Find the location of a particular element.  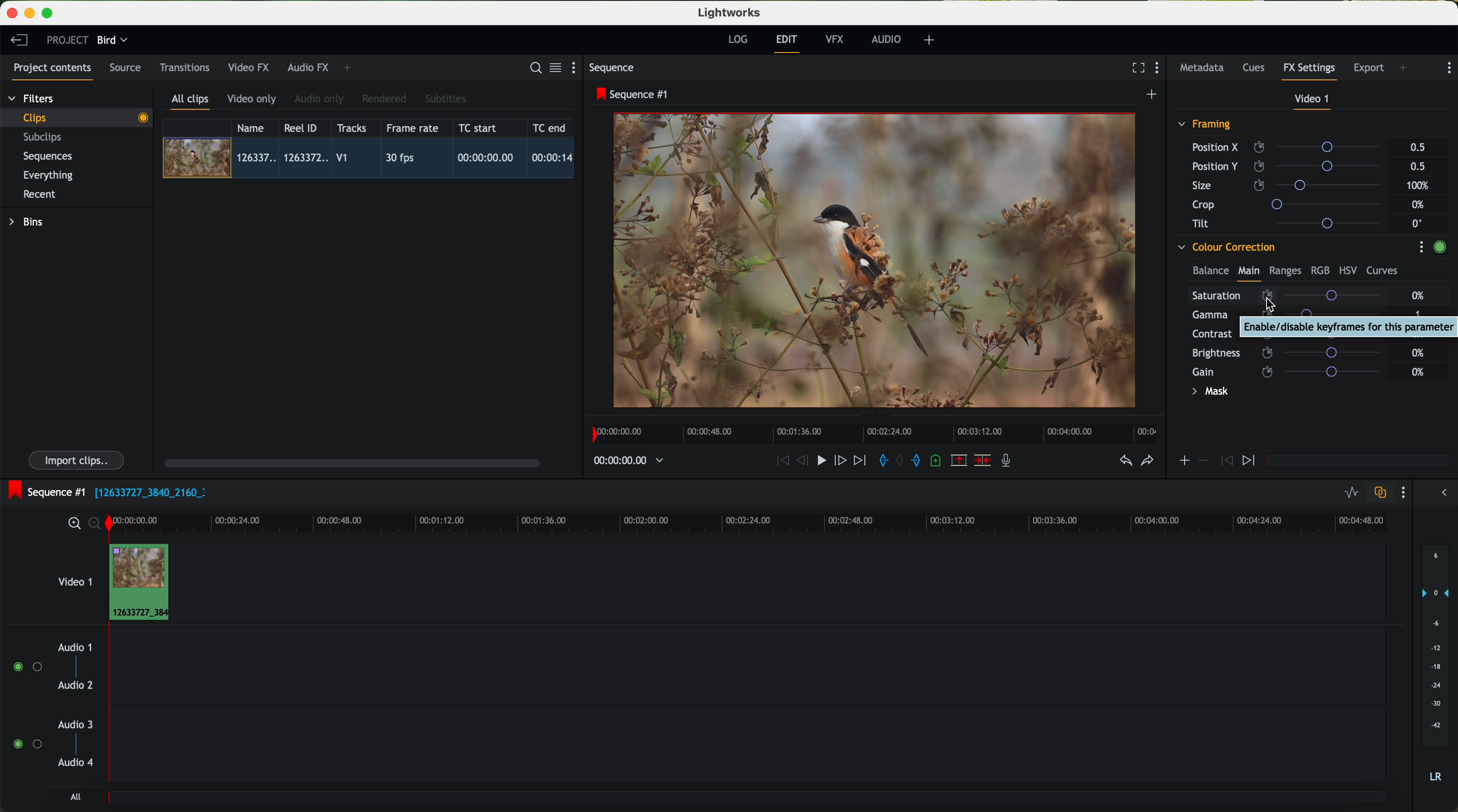

rendered is located at coordinates (385, 100).